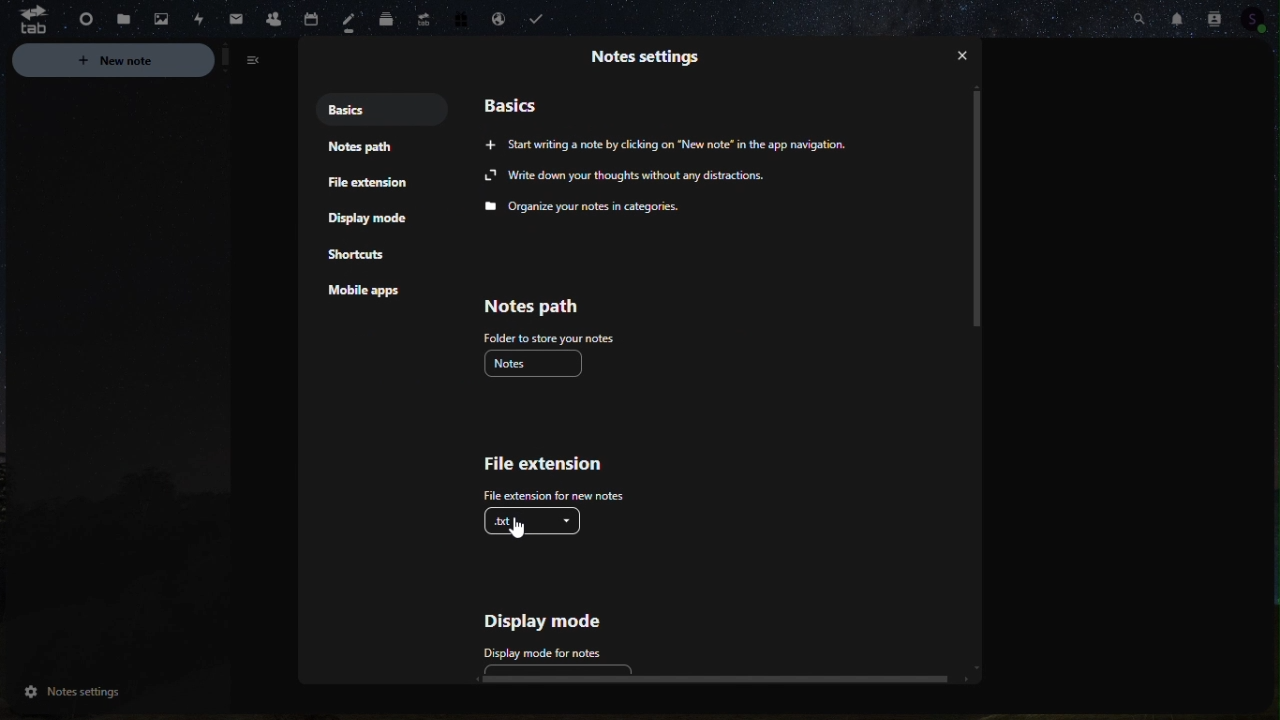  What do you see at coordinates (422, 17) in the screenshot?
I see `upgrade` at bounding box center [422, 17].